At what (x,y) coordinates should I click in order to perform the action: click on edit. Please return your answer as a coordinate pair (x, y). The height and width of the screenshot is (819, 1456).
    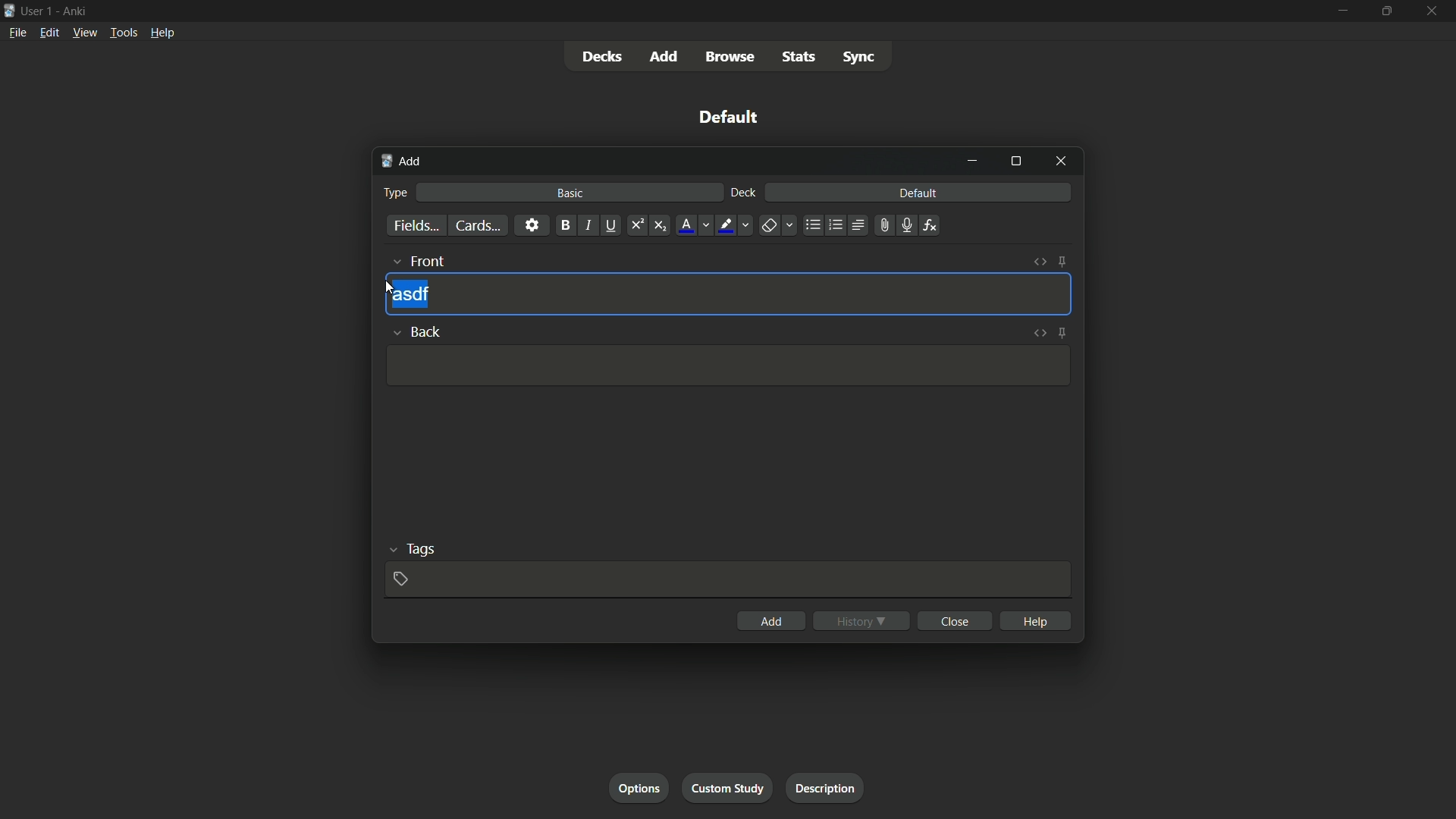
    Looking at the image, I should click on (49, 33).